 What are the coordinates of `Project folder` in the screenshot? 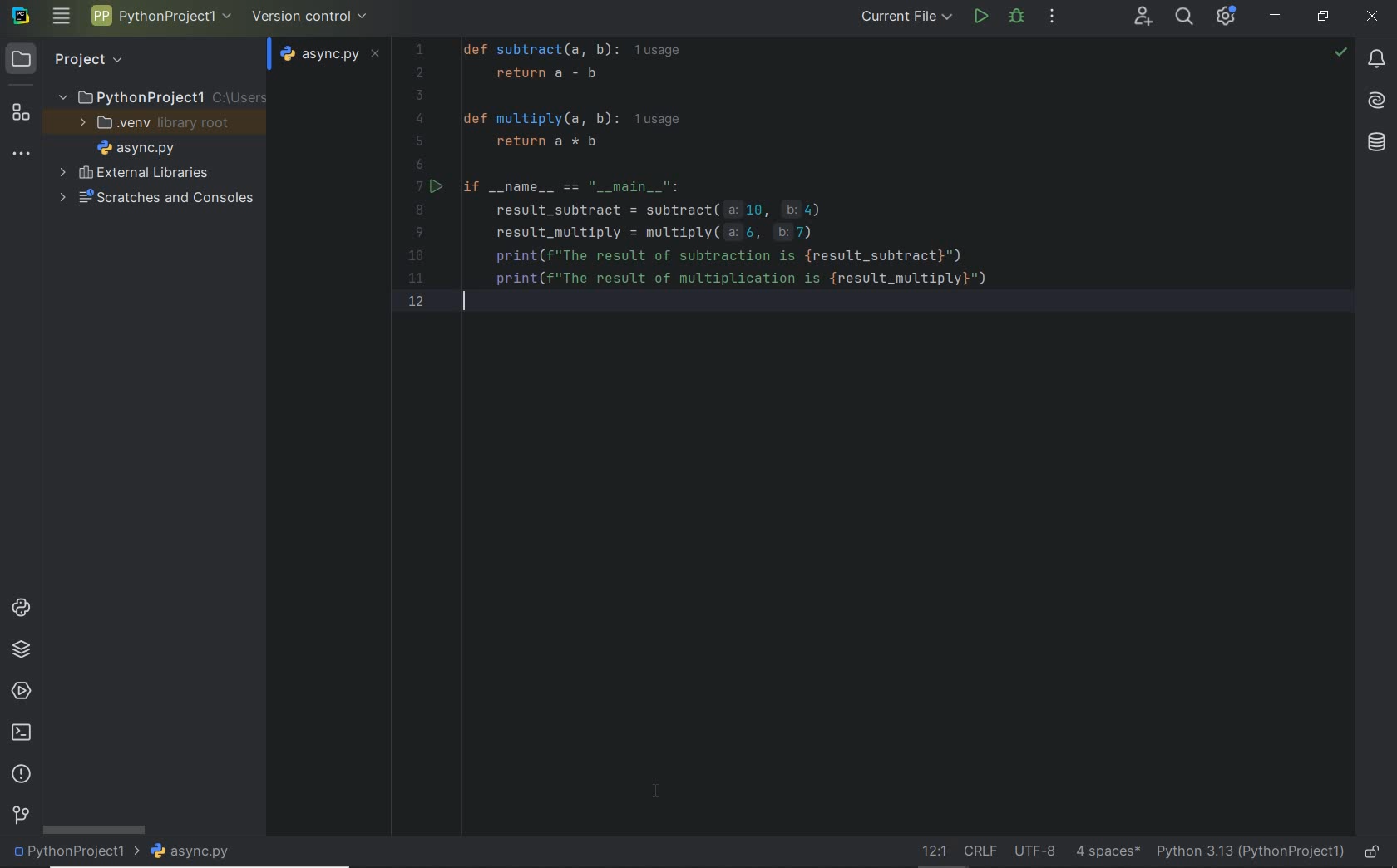 It's located at (158, 98).